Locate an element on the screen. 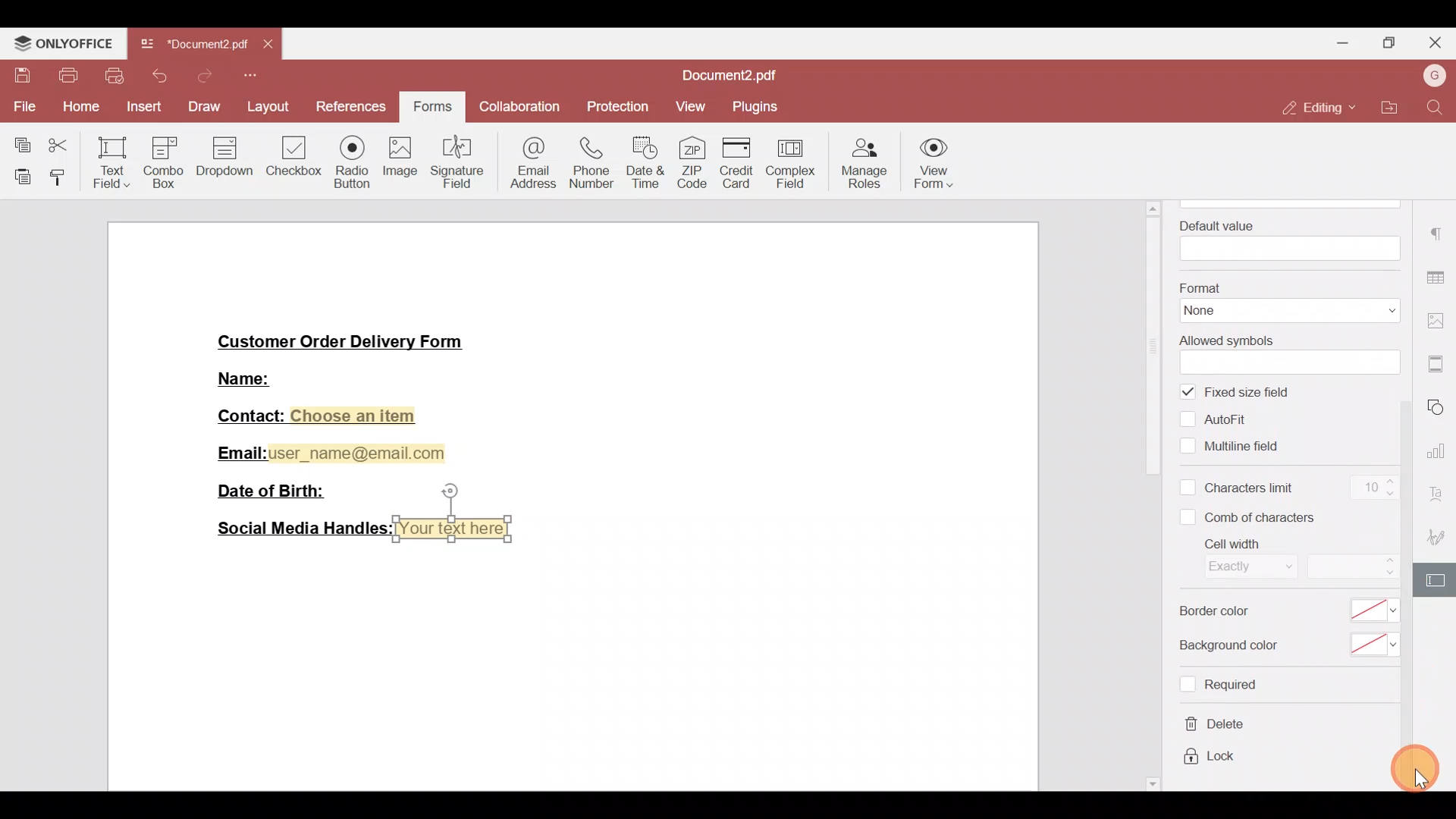 Image resolution: width=1456 pixels, height=819 pixels. Characters limit is located at coordinates (1239, 489).